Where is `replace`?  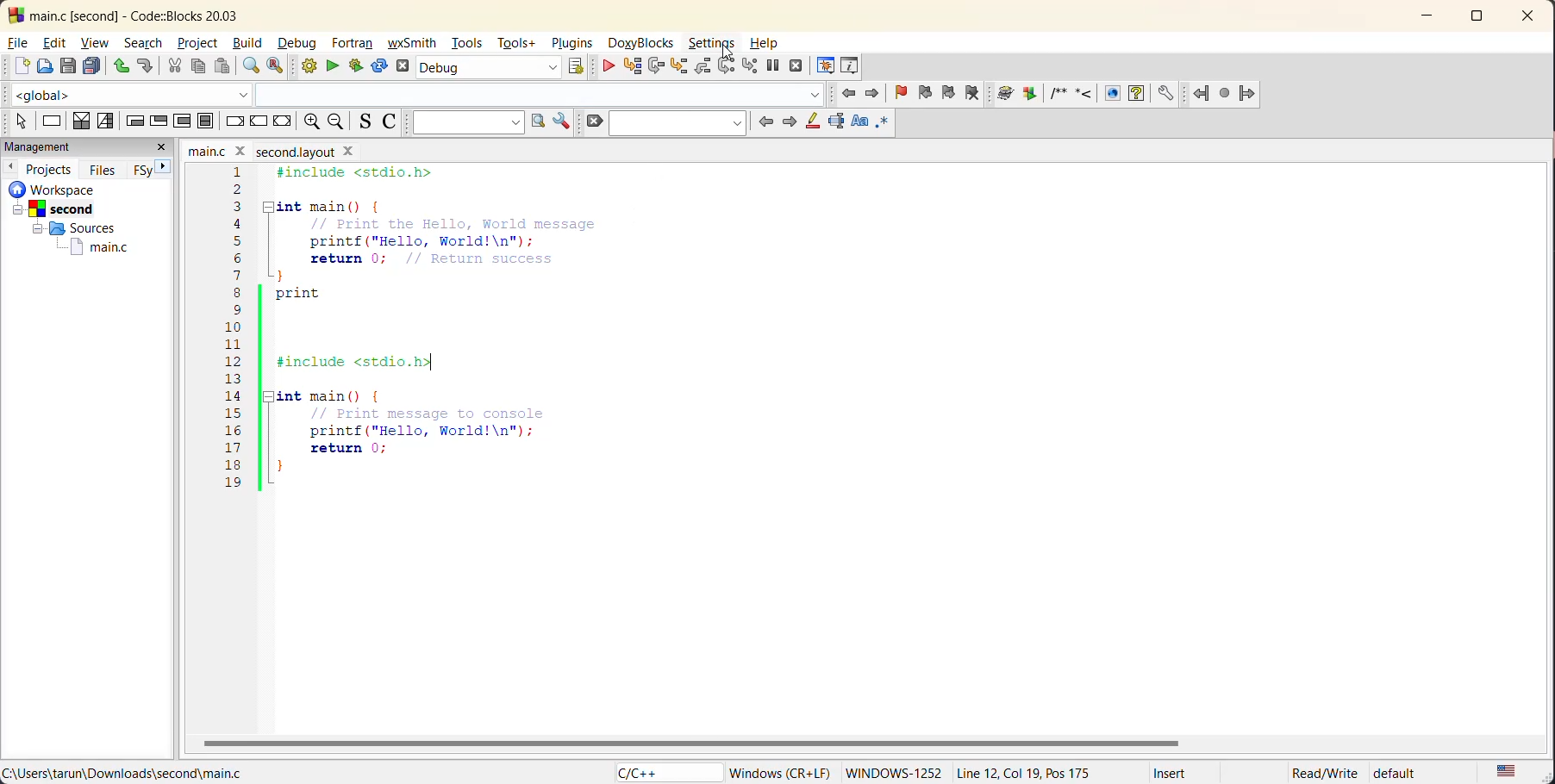
replace is located at coordinates (279, 66).